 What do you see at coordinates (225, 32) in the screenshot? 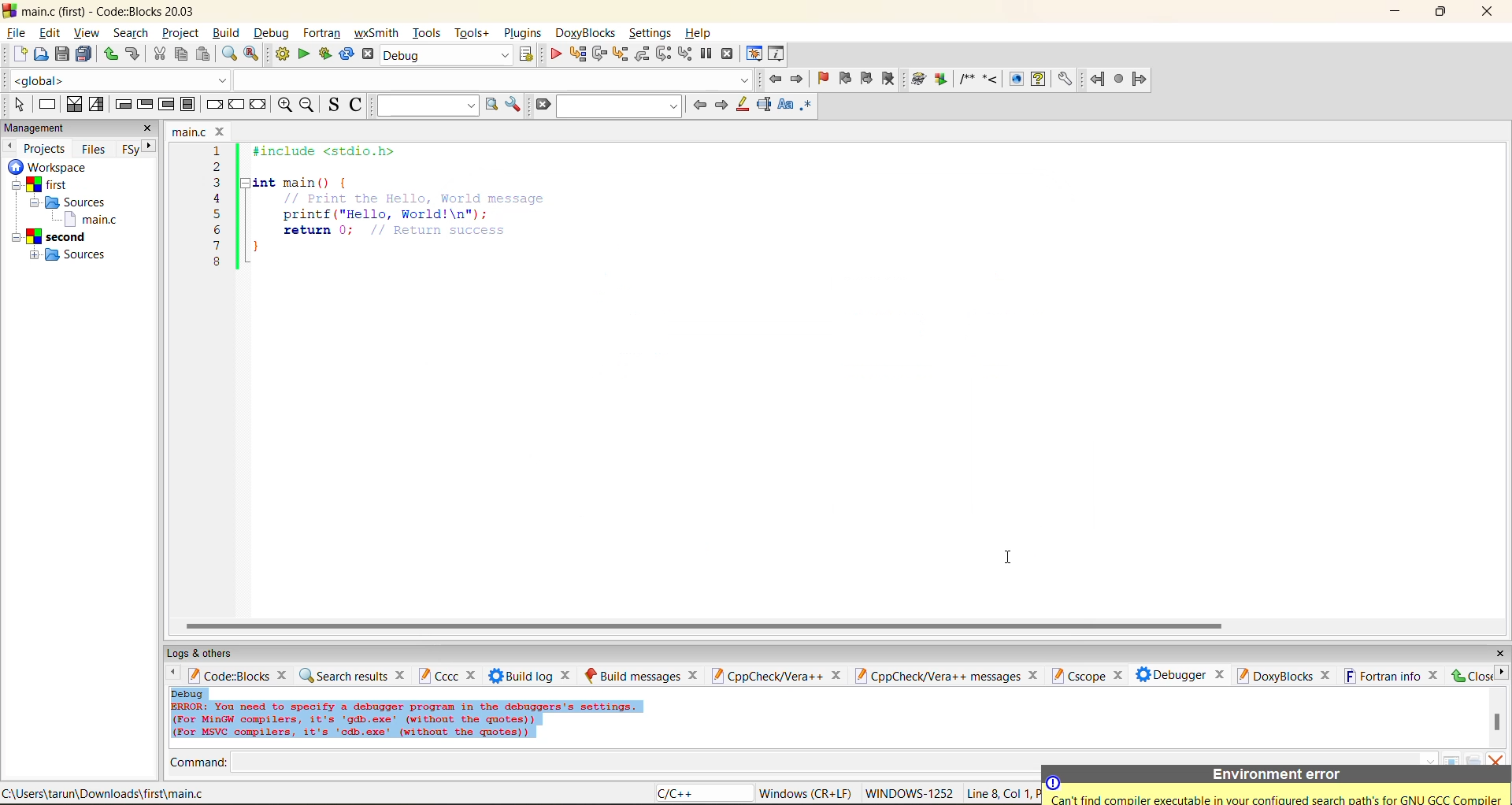
I see `build` at bounding box center [225, 32].